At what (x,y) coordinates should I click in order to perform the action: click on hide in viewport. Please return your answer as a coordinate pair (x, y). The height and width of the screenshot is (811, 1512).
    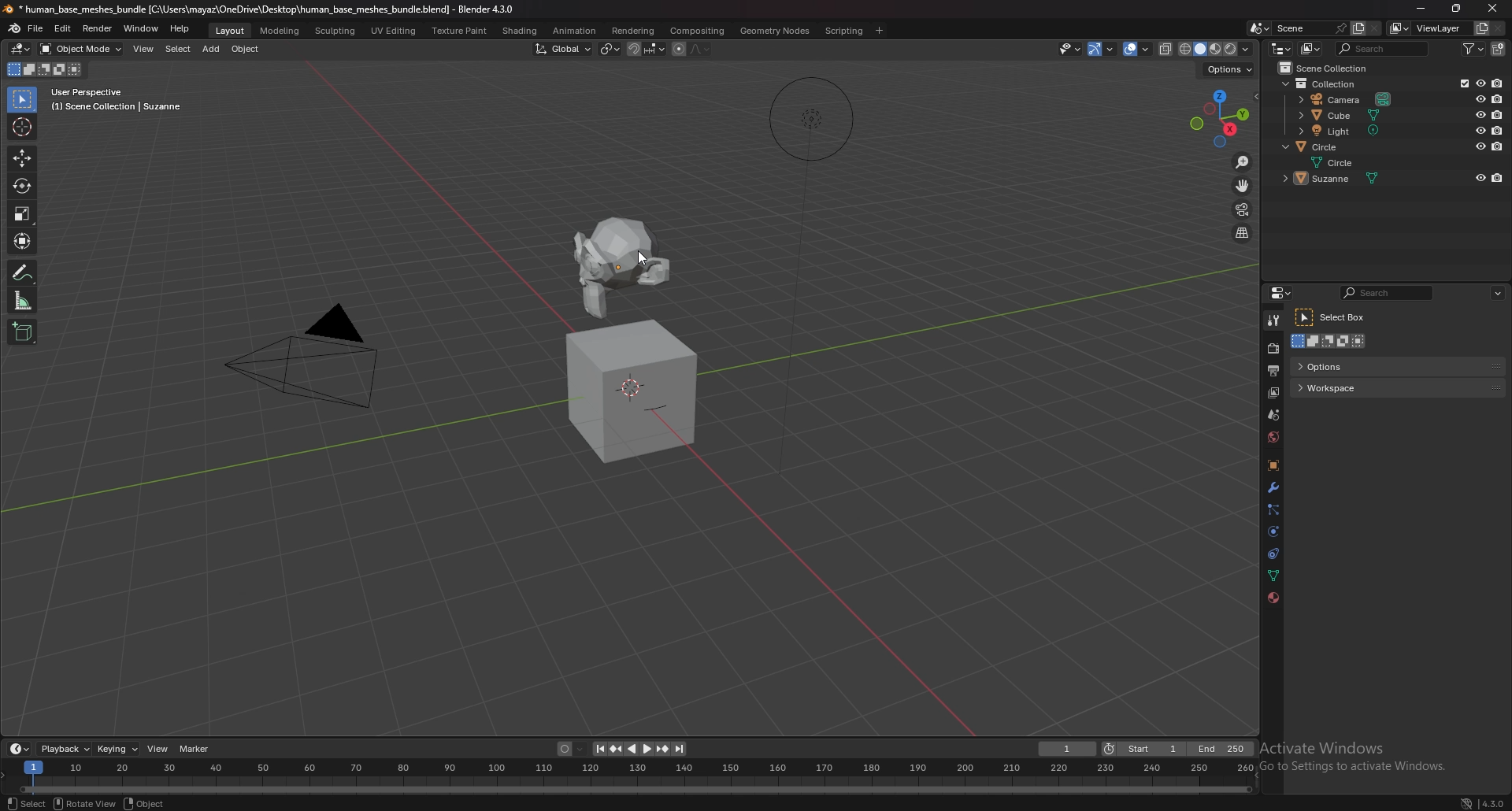
    Looking at the image, I should click on (1480, 178).